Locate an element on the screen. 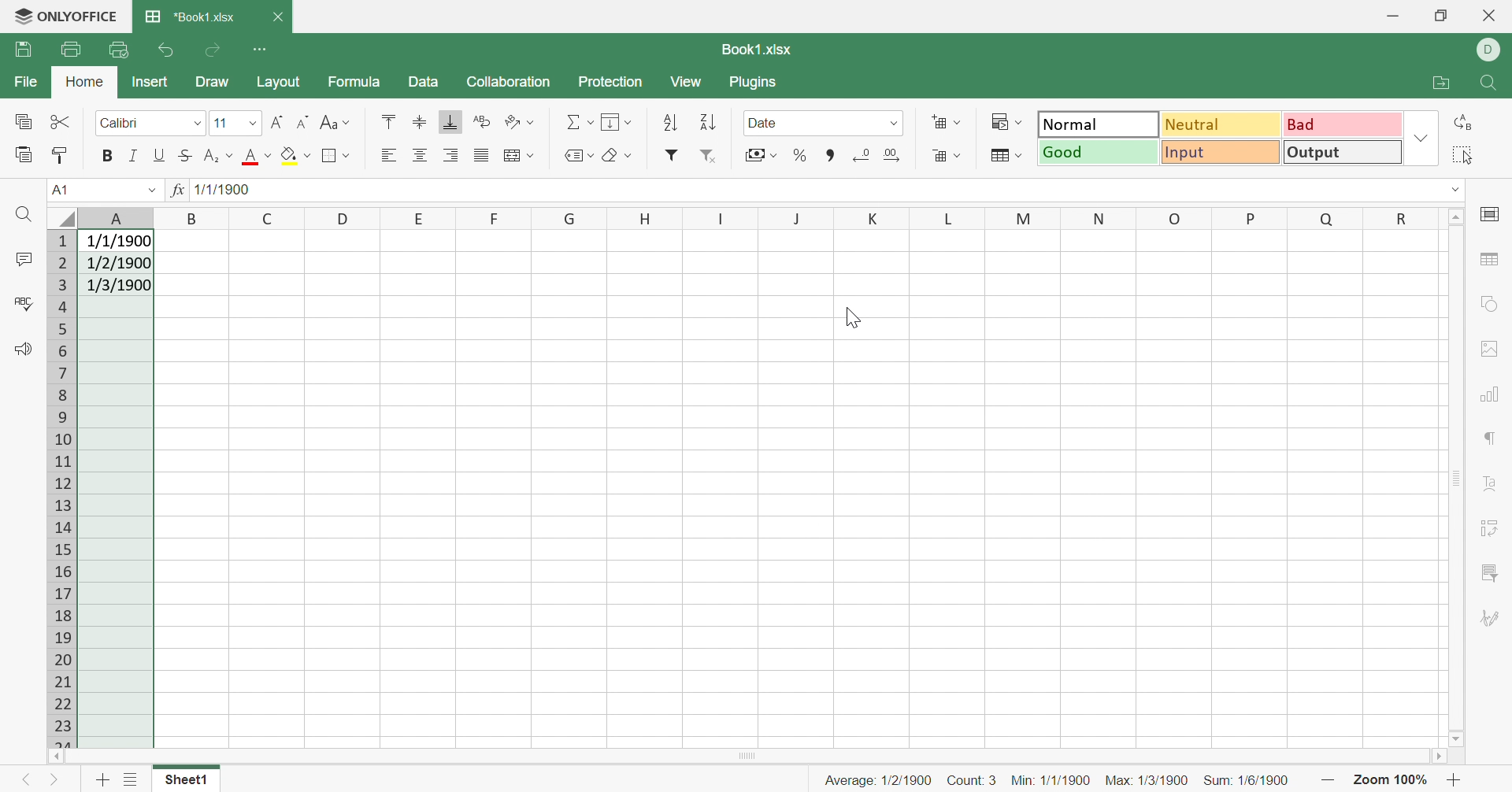  Scroll right is located at coordinates (1434, 757).